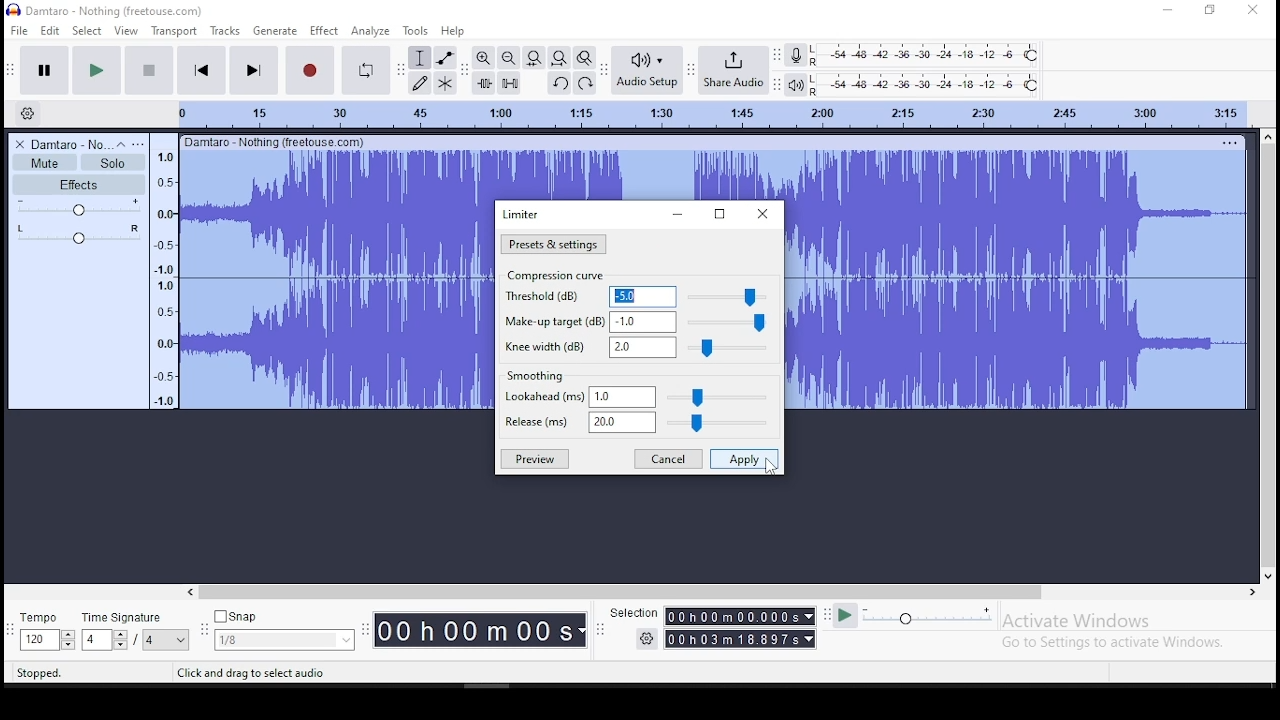 This screenshot has width=1280, height=720. Describe the element at coordinates (559, 275) in the screenshot. I see `compression curve` at that location.